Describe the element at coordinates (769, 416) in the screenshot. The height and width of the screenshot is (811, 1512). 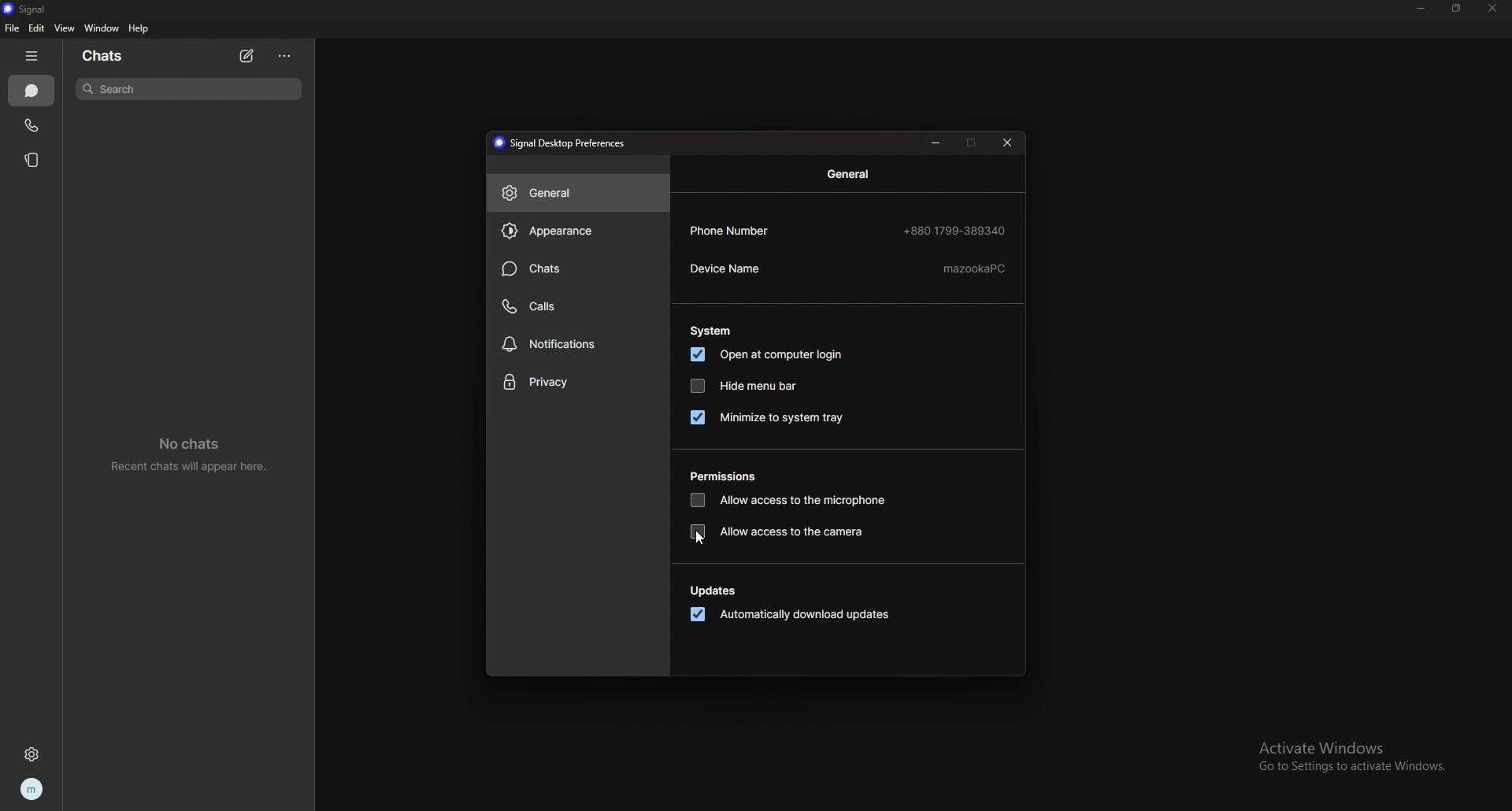
I see `minimize to system tray` at that location.